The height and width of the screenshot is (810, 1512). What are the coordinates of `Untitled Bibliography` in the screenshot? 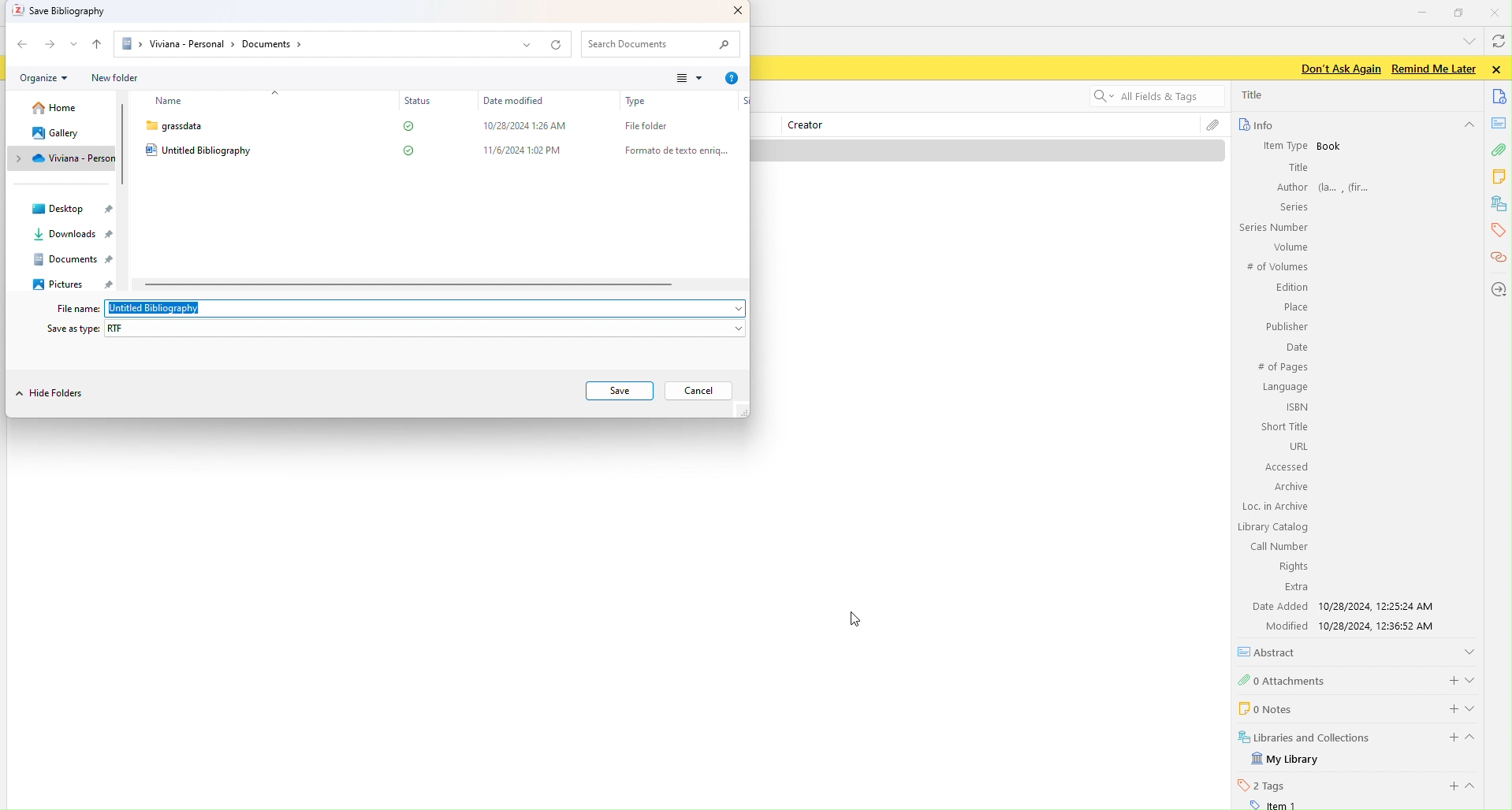 It's located at (201, 150).